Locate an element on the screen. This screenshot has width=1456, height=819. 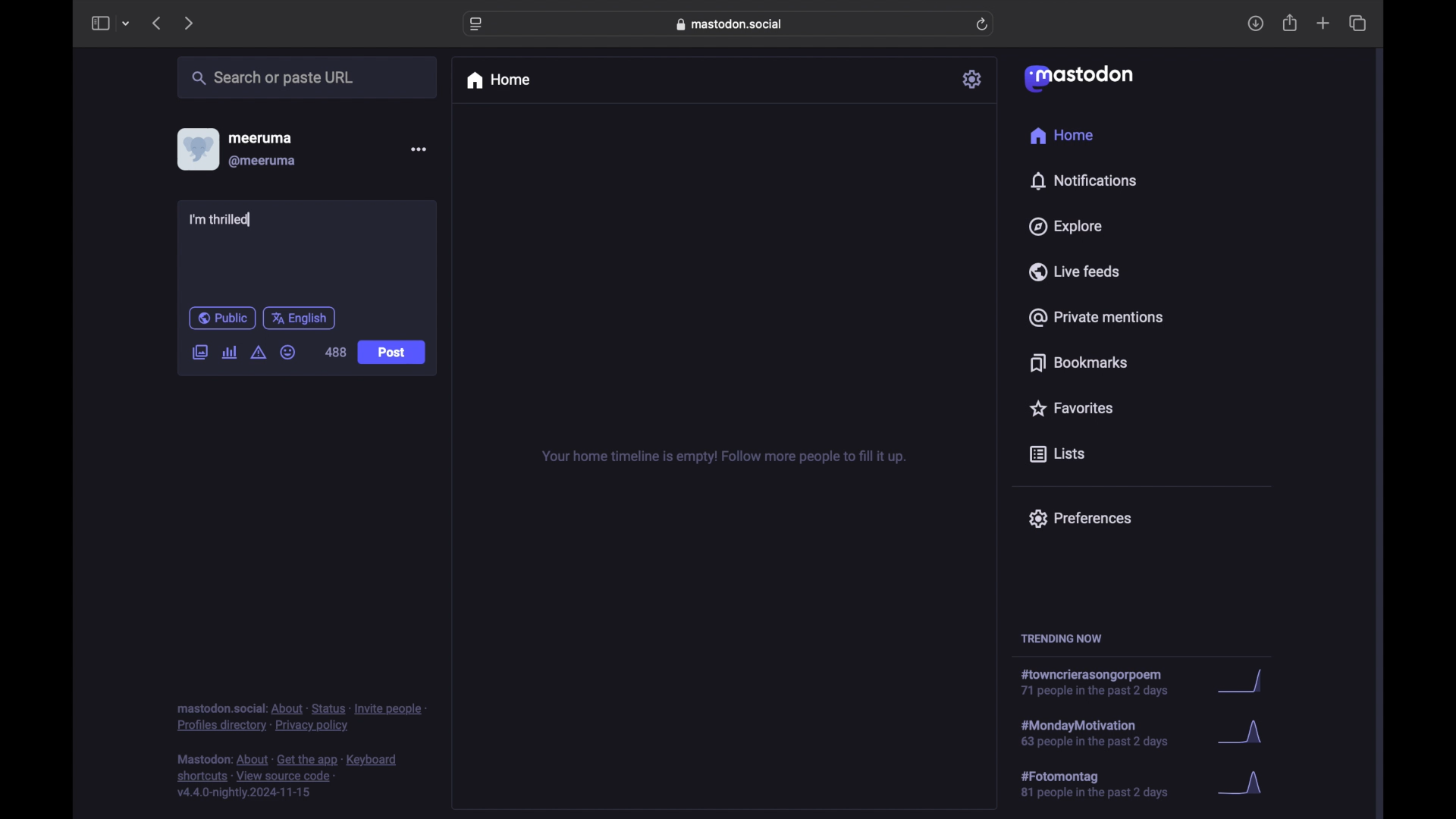
favorites is located at coordinates (1071, 408).